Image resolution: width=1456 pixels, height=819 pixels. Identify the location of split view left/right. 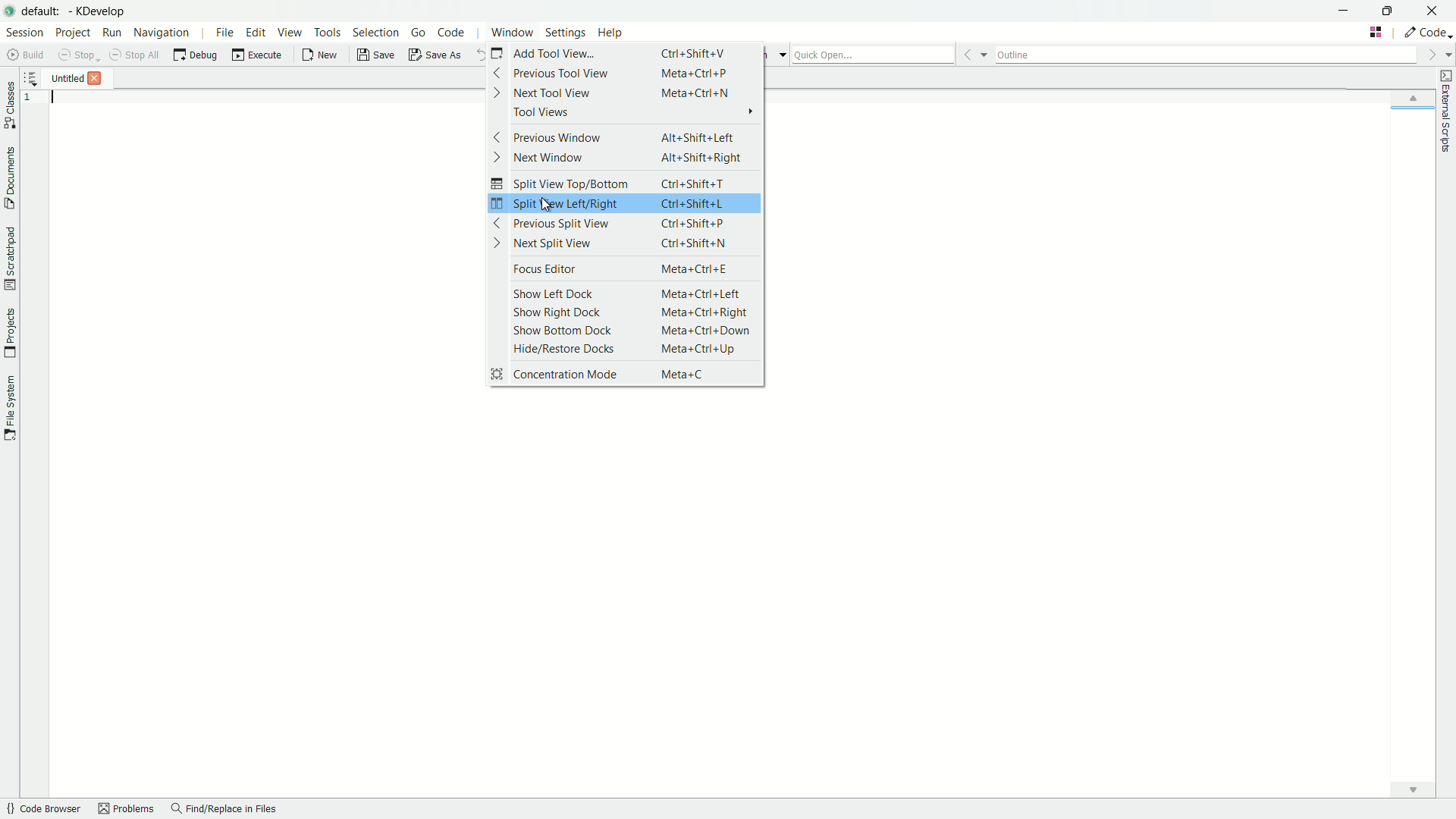
(558, 203).